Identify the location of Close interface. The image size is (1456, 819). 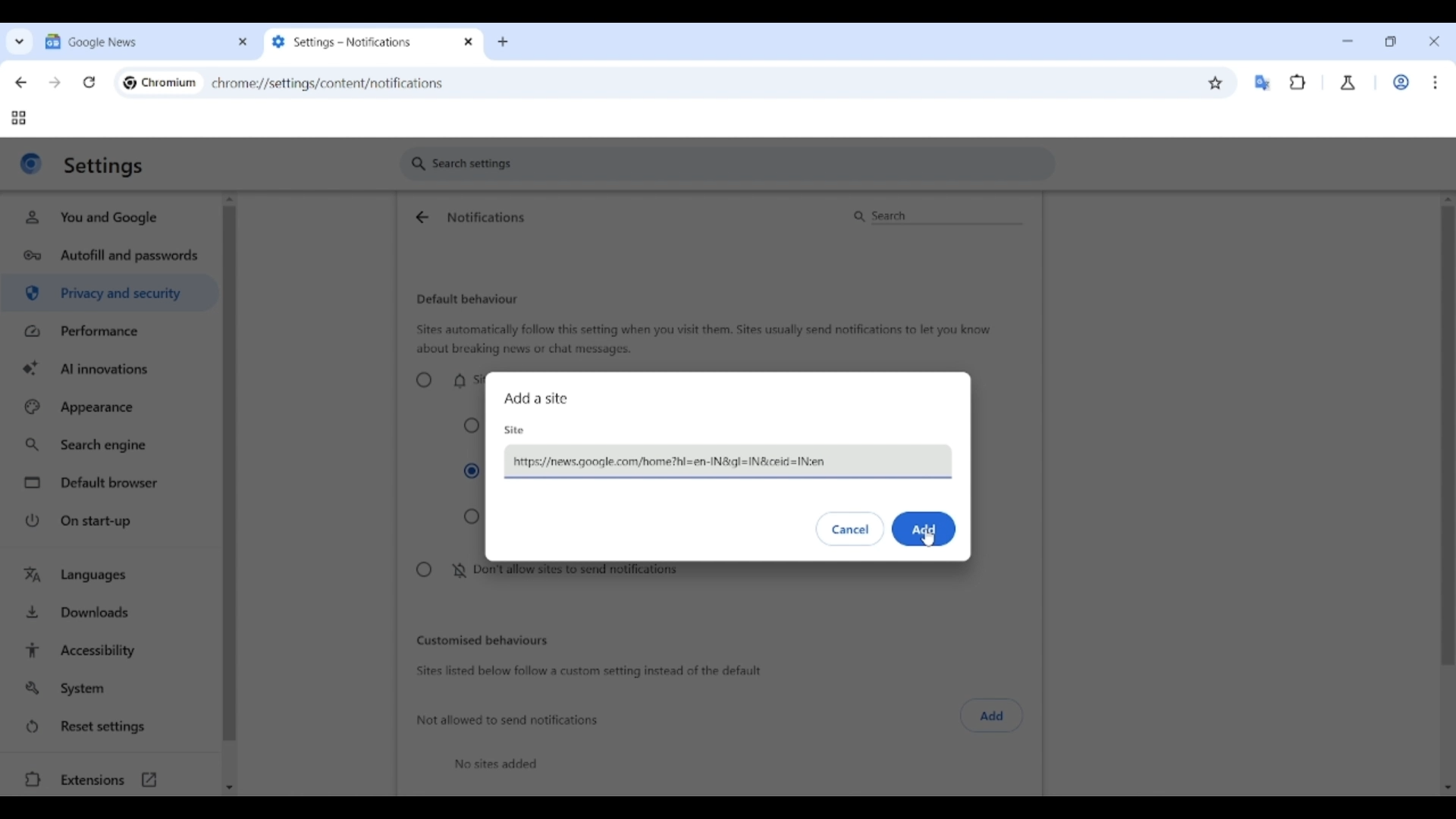
(1434, 41).